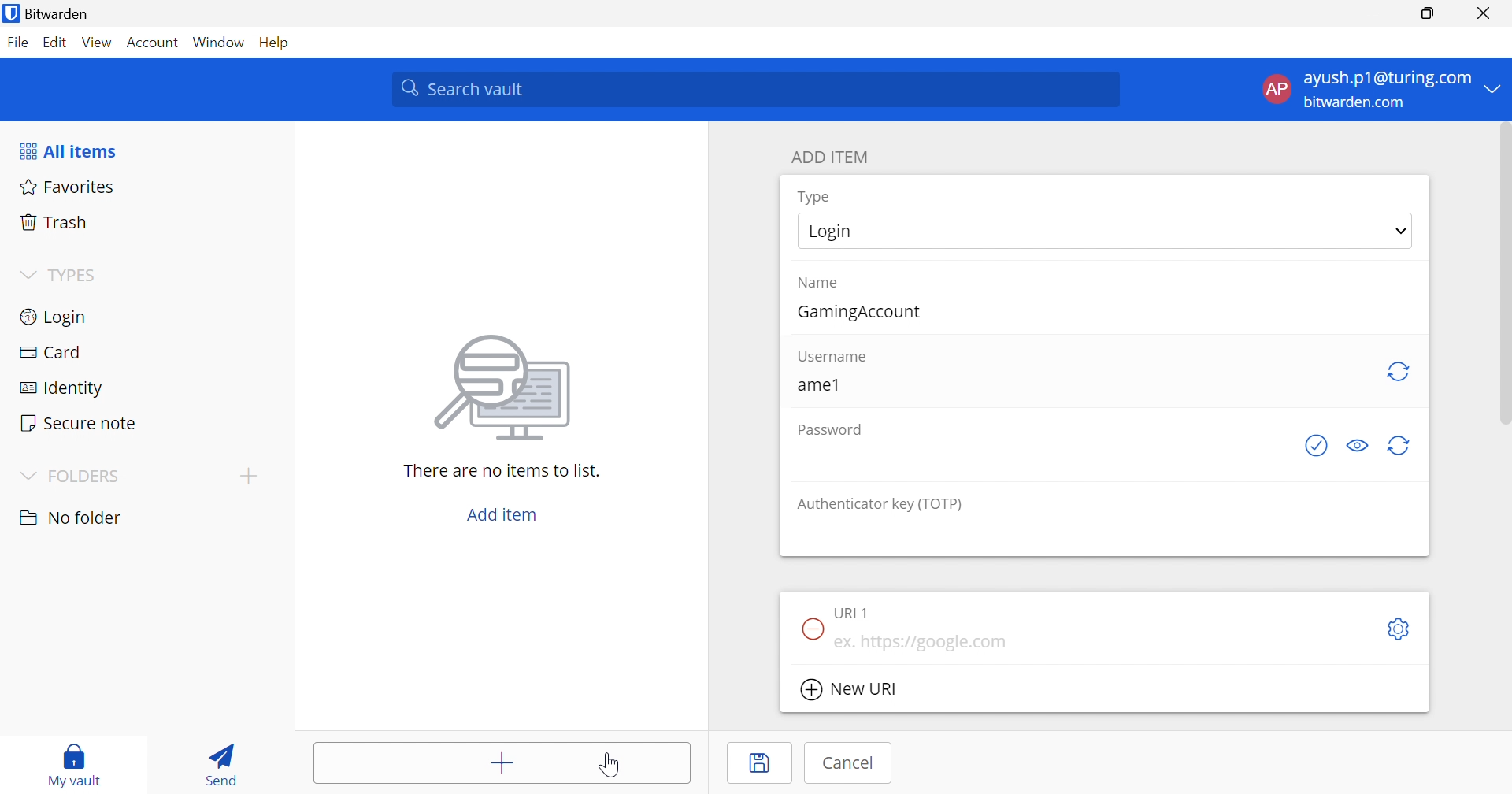  I want to click on FOLDERS, so click(87, 477).